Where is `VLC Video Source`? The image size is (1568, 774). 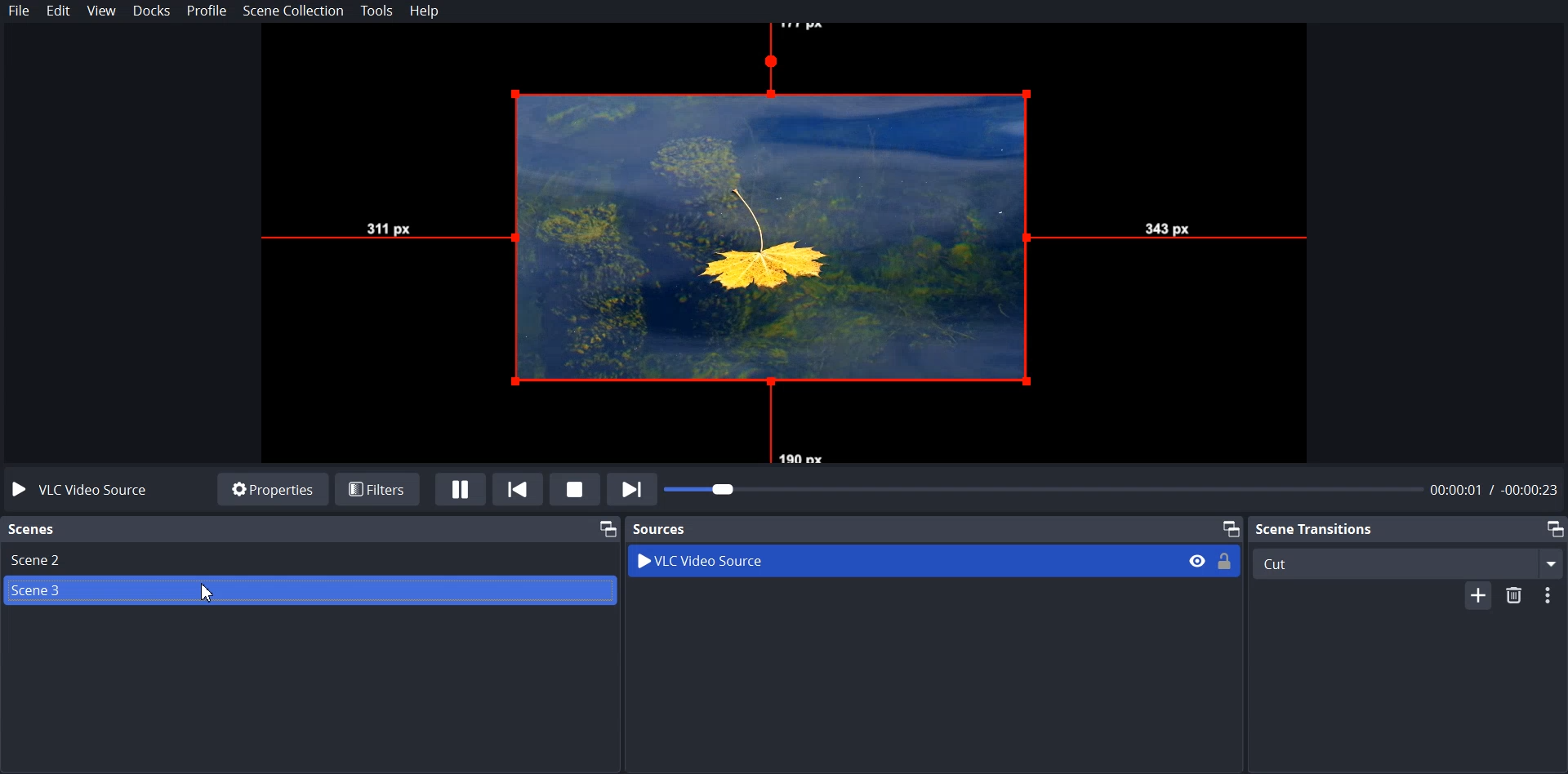 VLC Video Source is located at coordinates (91, 489).